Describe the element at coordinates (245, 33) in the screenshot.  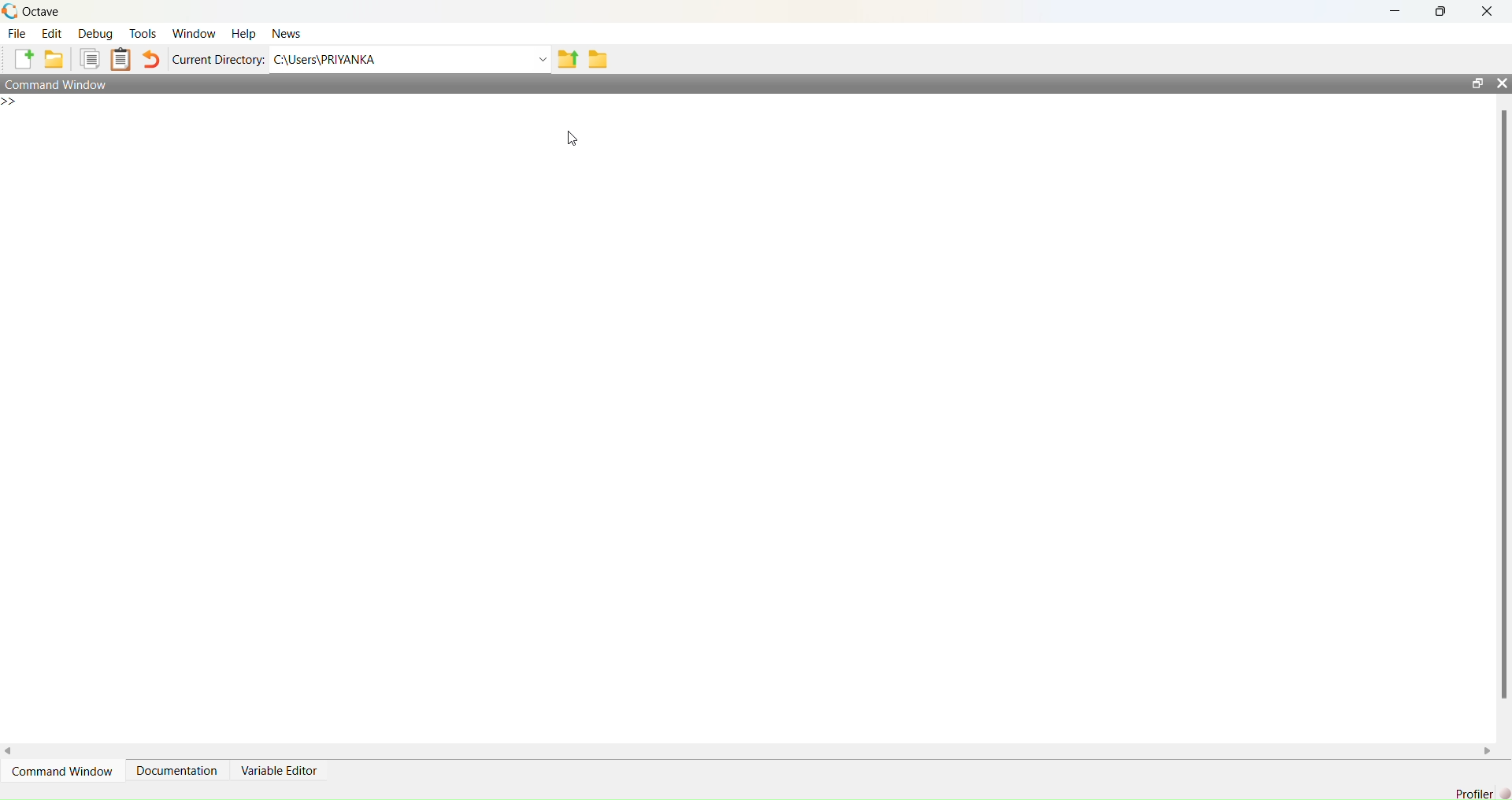
I see `Help` at that location.